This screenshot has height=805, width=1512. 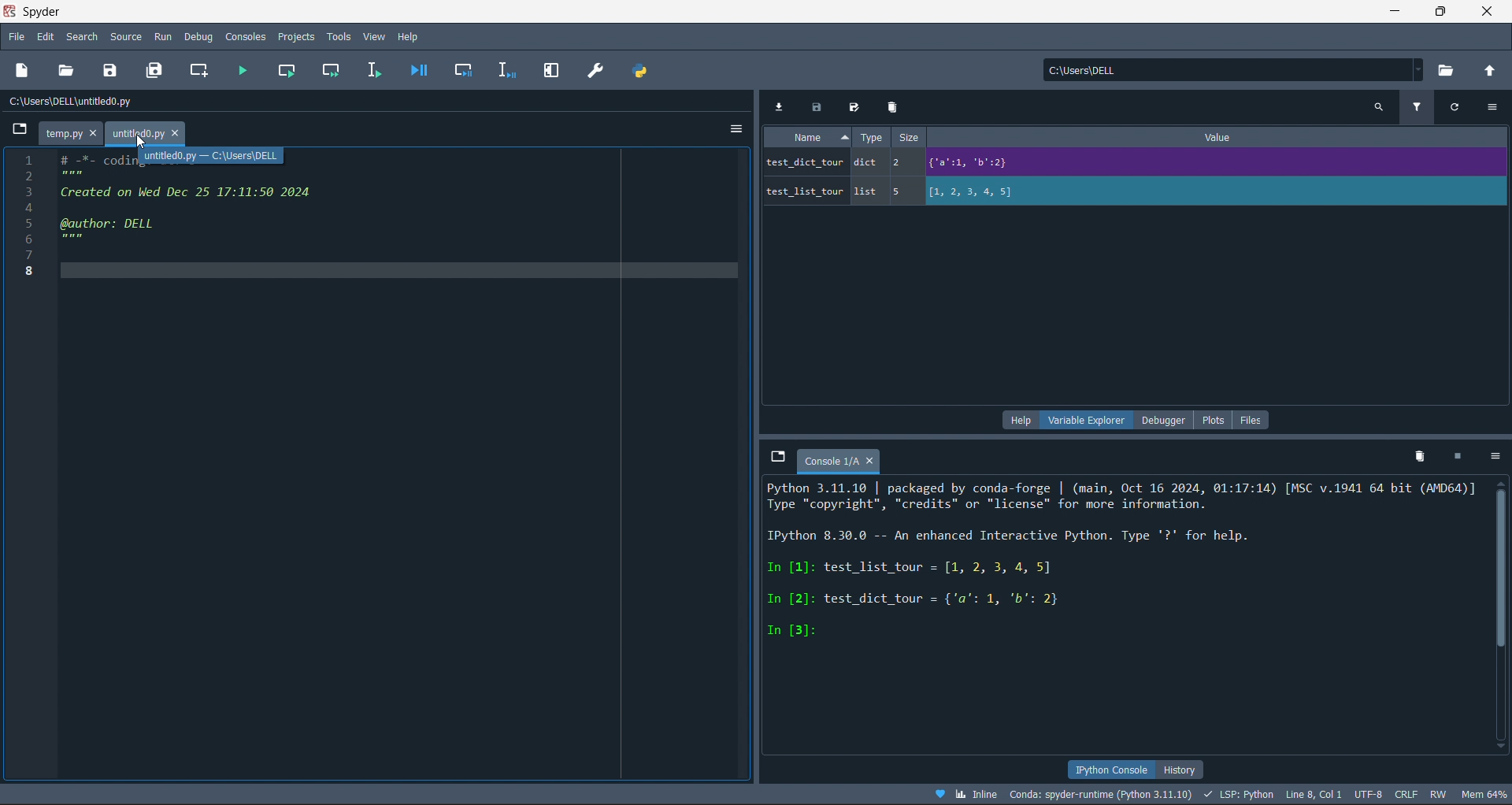 What do you see at coordinates (852, 106) in the screenshot?
I see `save data as` at bounding box center [852, 106].